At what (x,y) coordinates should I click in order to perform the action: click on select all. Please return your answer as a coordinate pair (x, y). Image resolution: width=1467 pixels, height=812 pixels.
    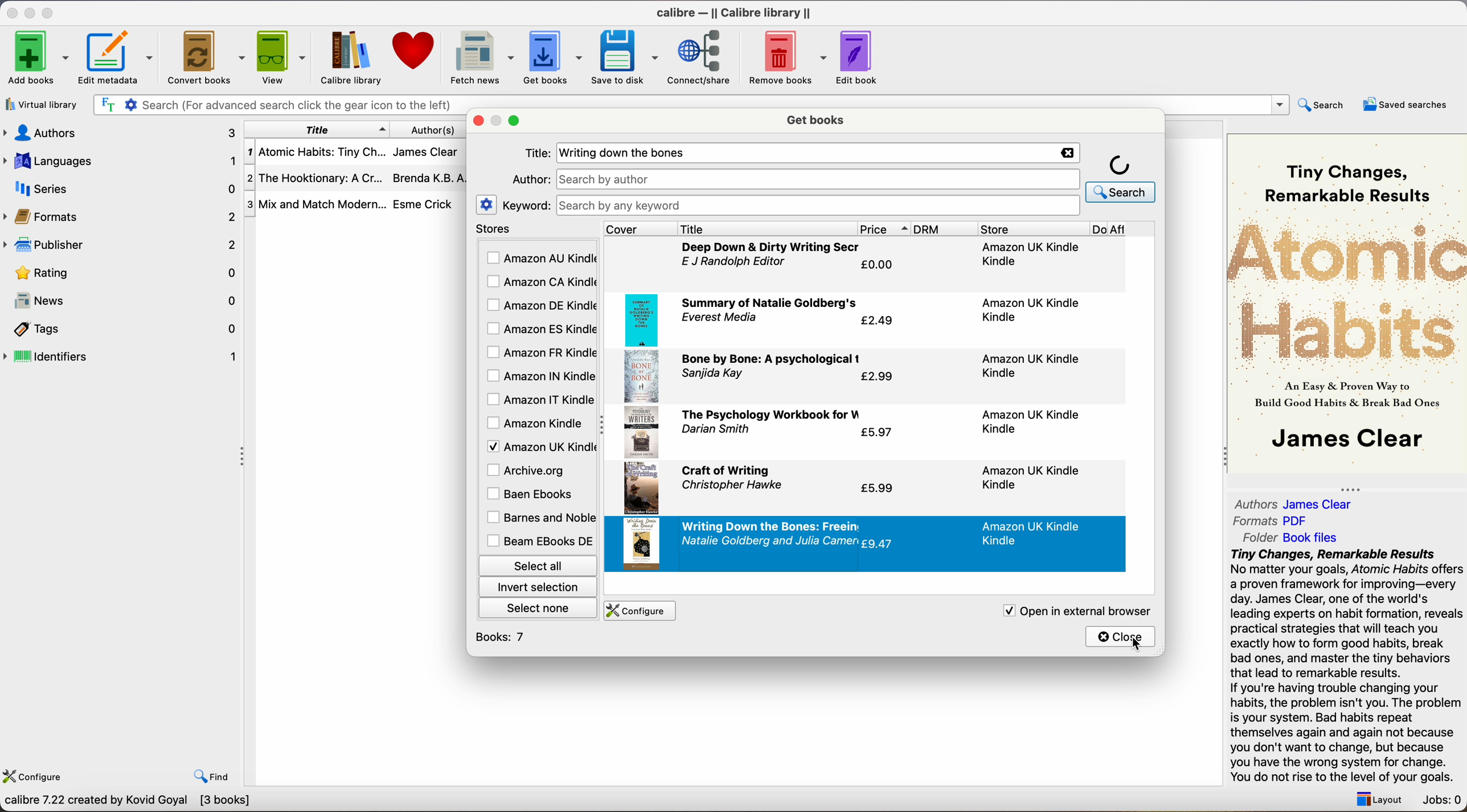
    Looking at the image, I should click on (536, 564).